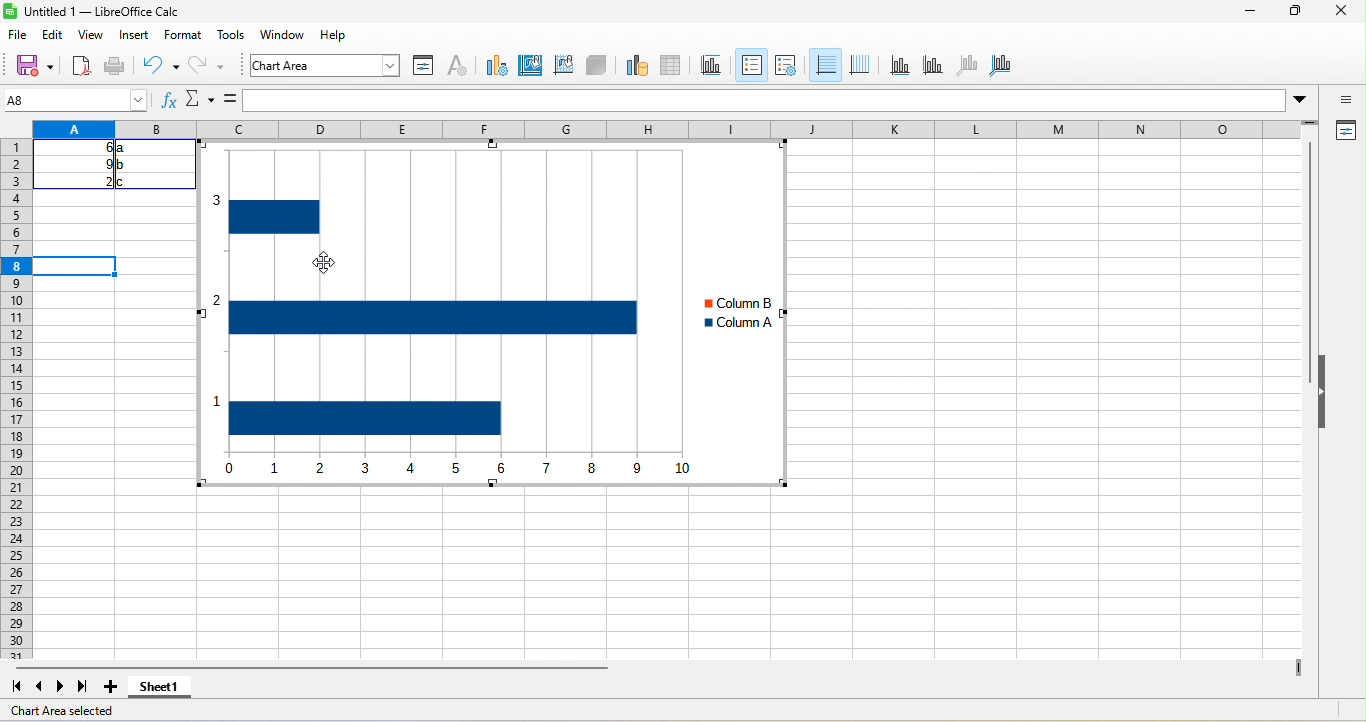 Image resolution: width=1366 pixels, height=722 pixels. What do you see at coordinates (440, 315) in the screenshot?
I see `Changed chart type` at bounding box center [440, 315].